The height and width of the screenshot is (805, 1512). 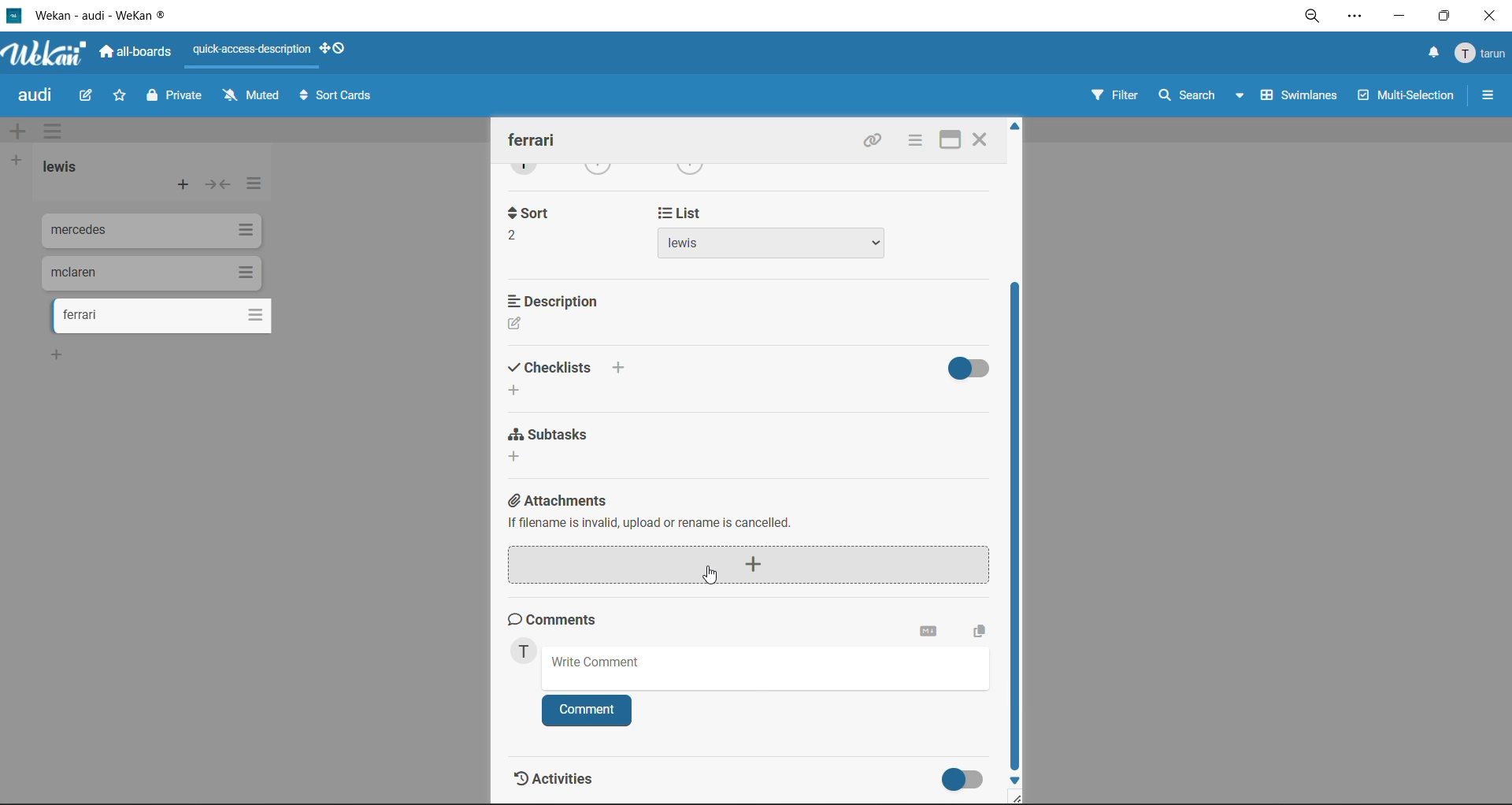 I want to click on subtasks, so click(x=557, y=446).